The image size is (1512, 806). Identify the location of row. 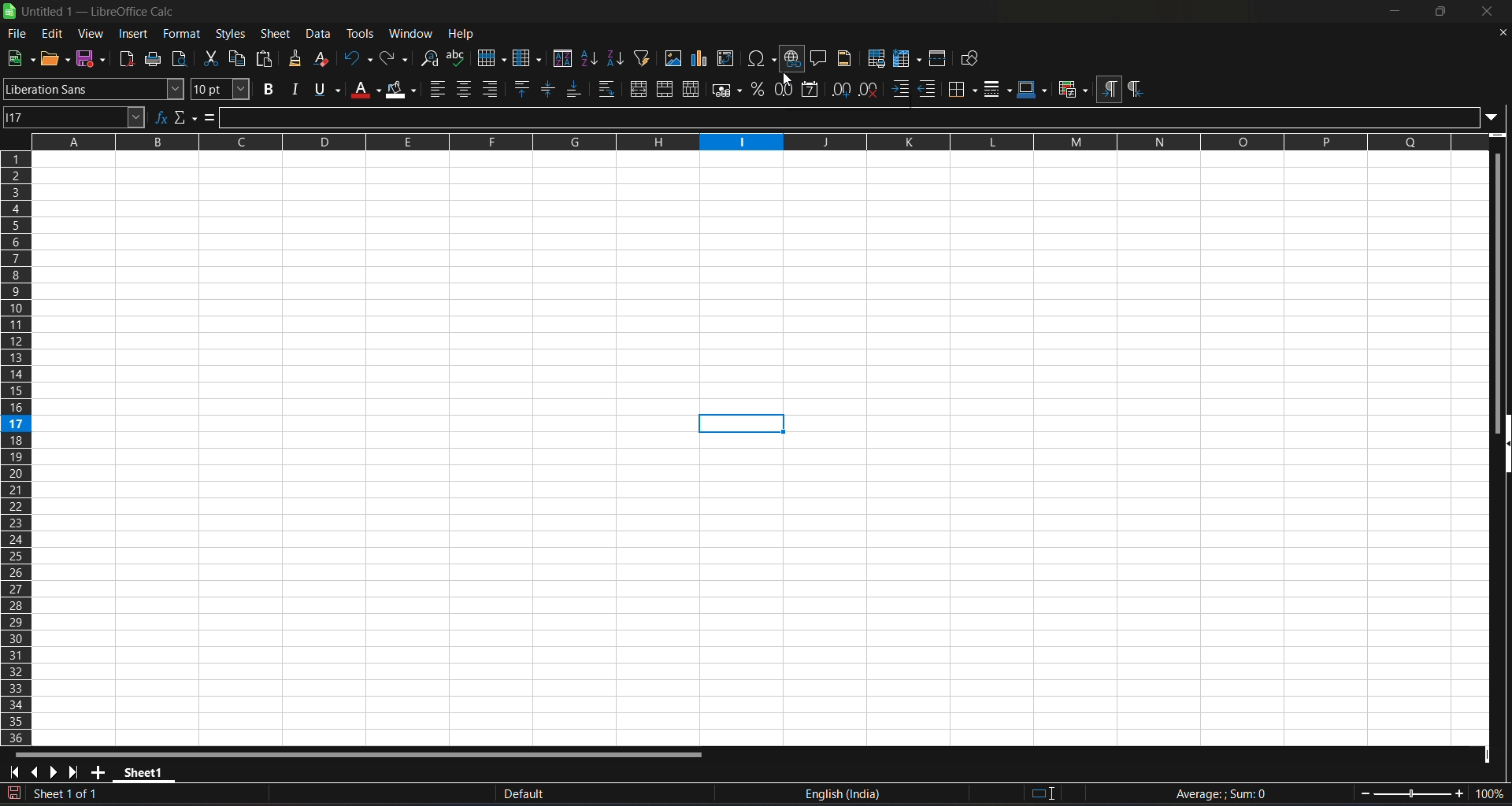
(491, 56).